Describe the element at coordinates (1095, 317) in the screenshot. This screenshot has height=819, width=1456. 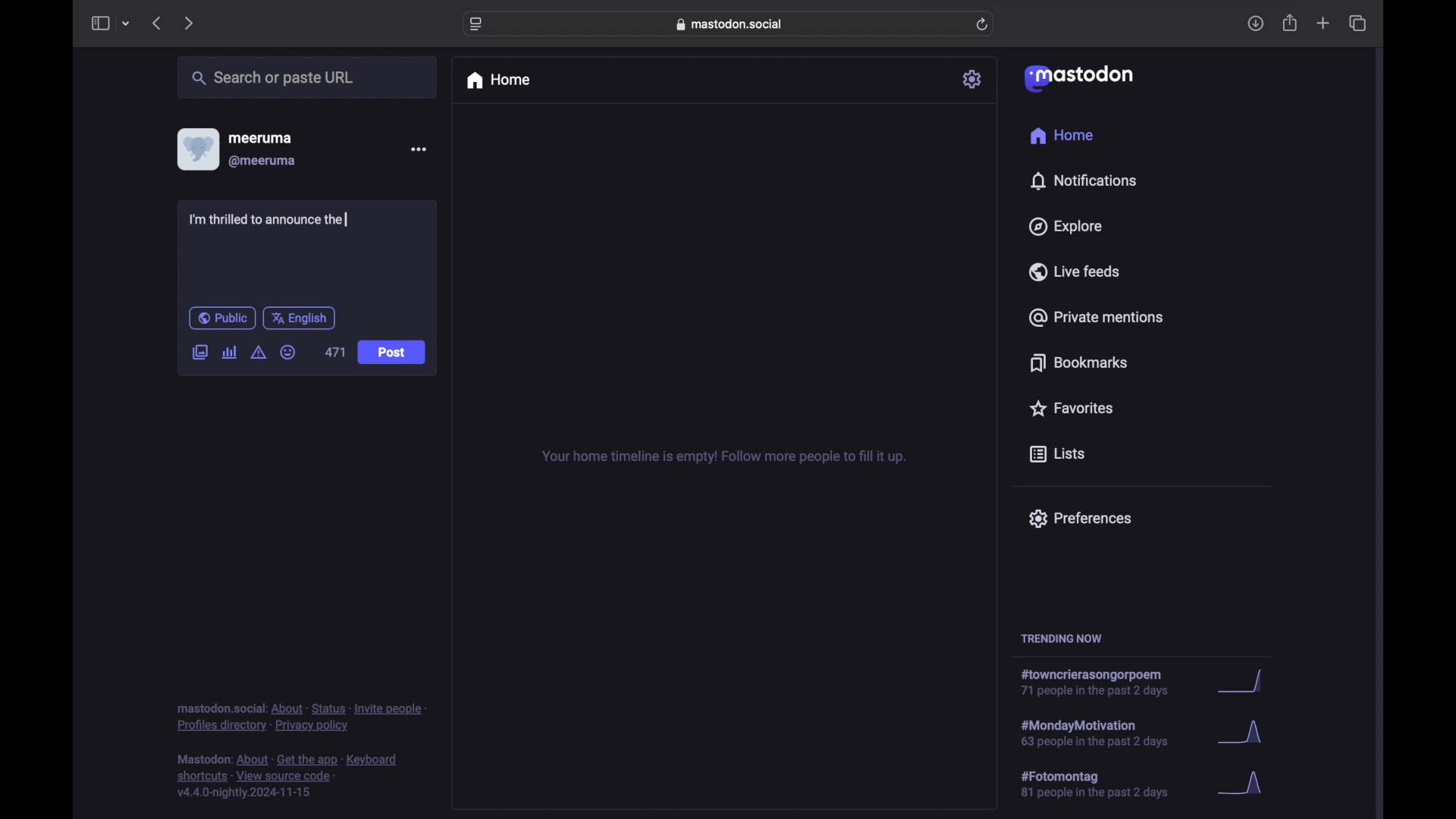
I see `private mentions` at that location.